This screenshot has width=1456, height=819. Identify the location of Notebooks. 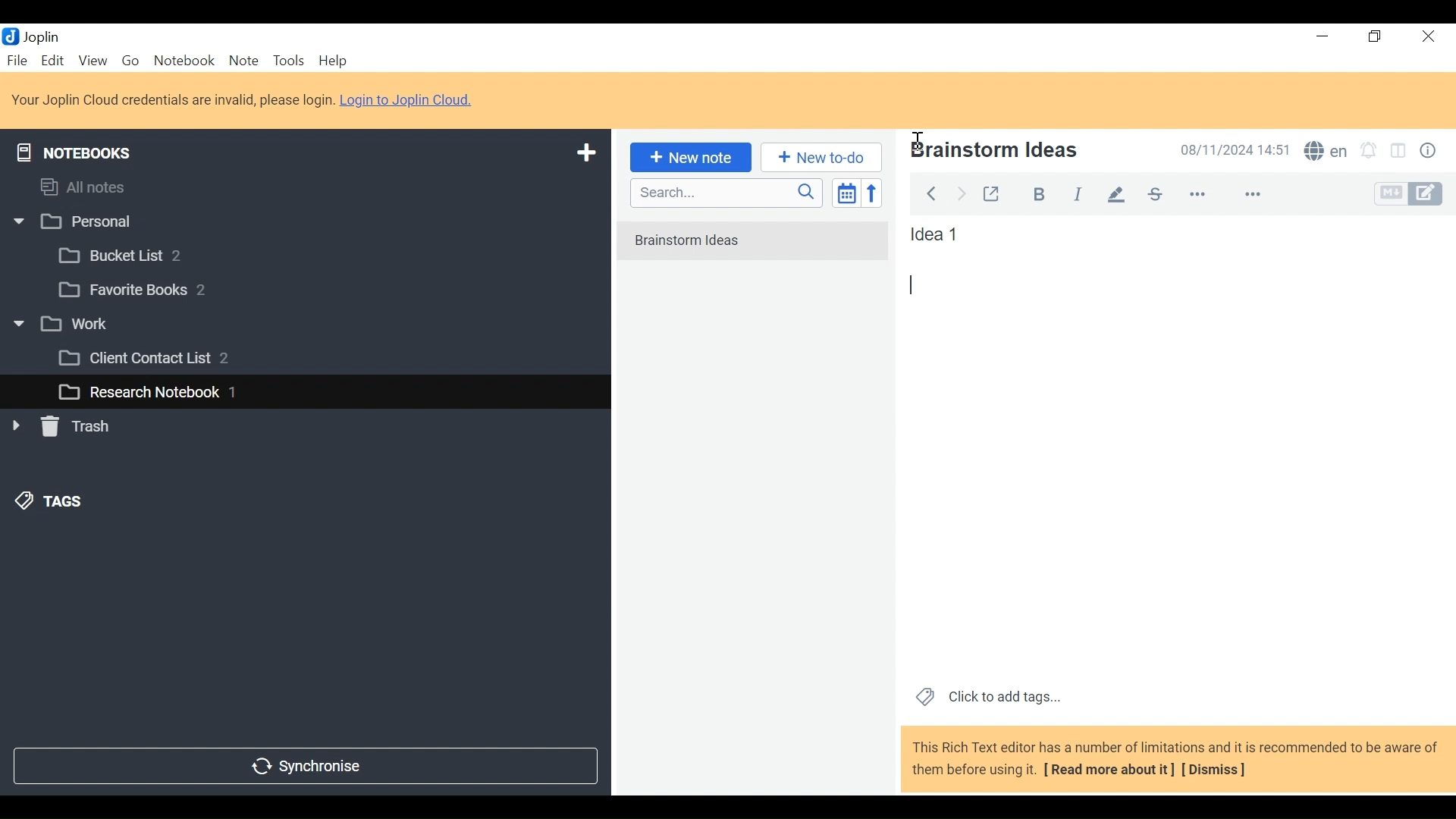
(85, 149).